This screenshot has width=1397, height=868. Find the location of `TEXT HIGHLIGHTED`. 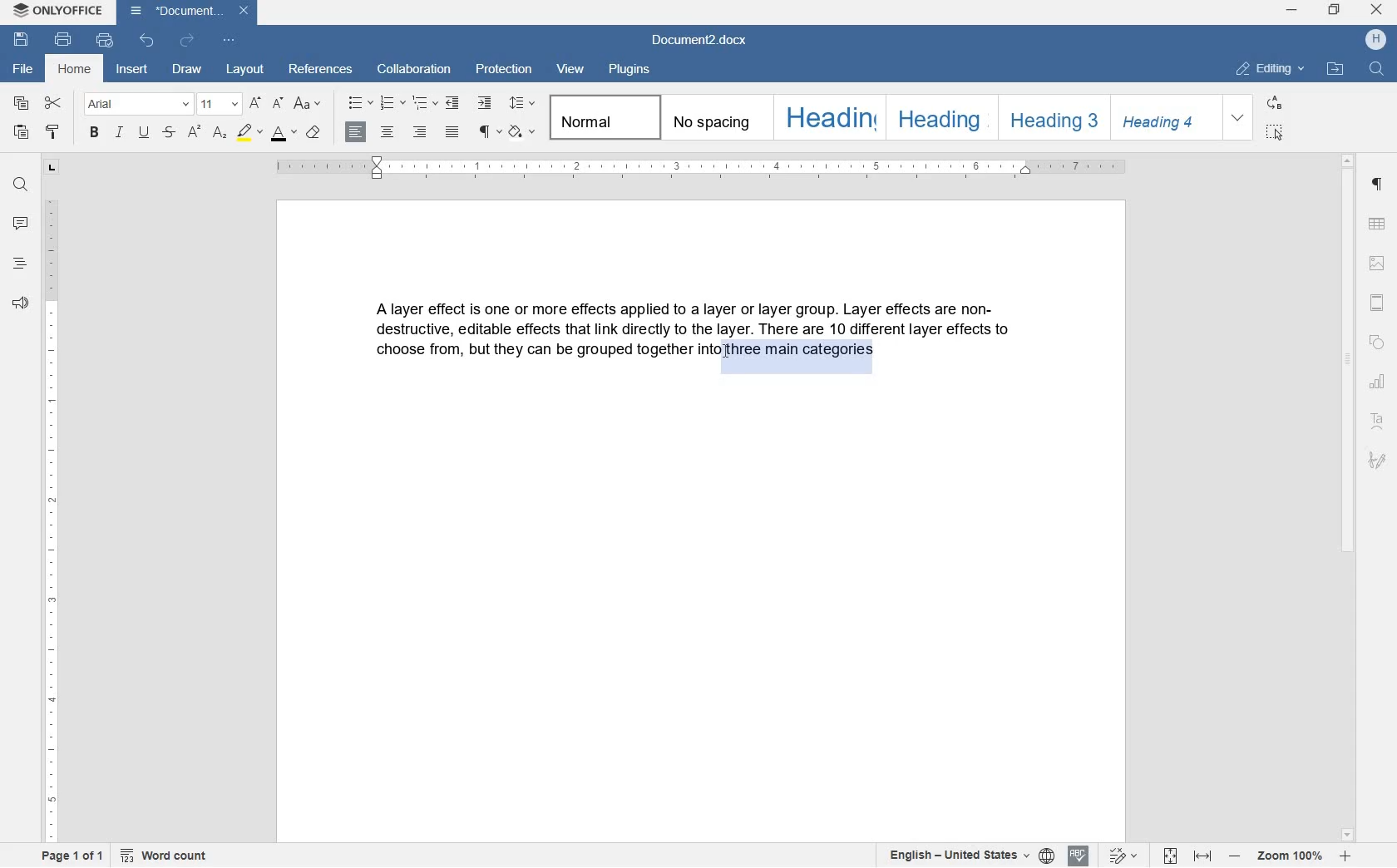

TEXT HIGHLIGHTED is located at coordinates (799, 357).